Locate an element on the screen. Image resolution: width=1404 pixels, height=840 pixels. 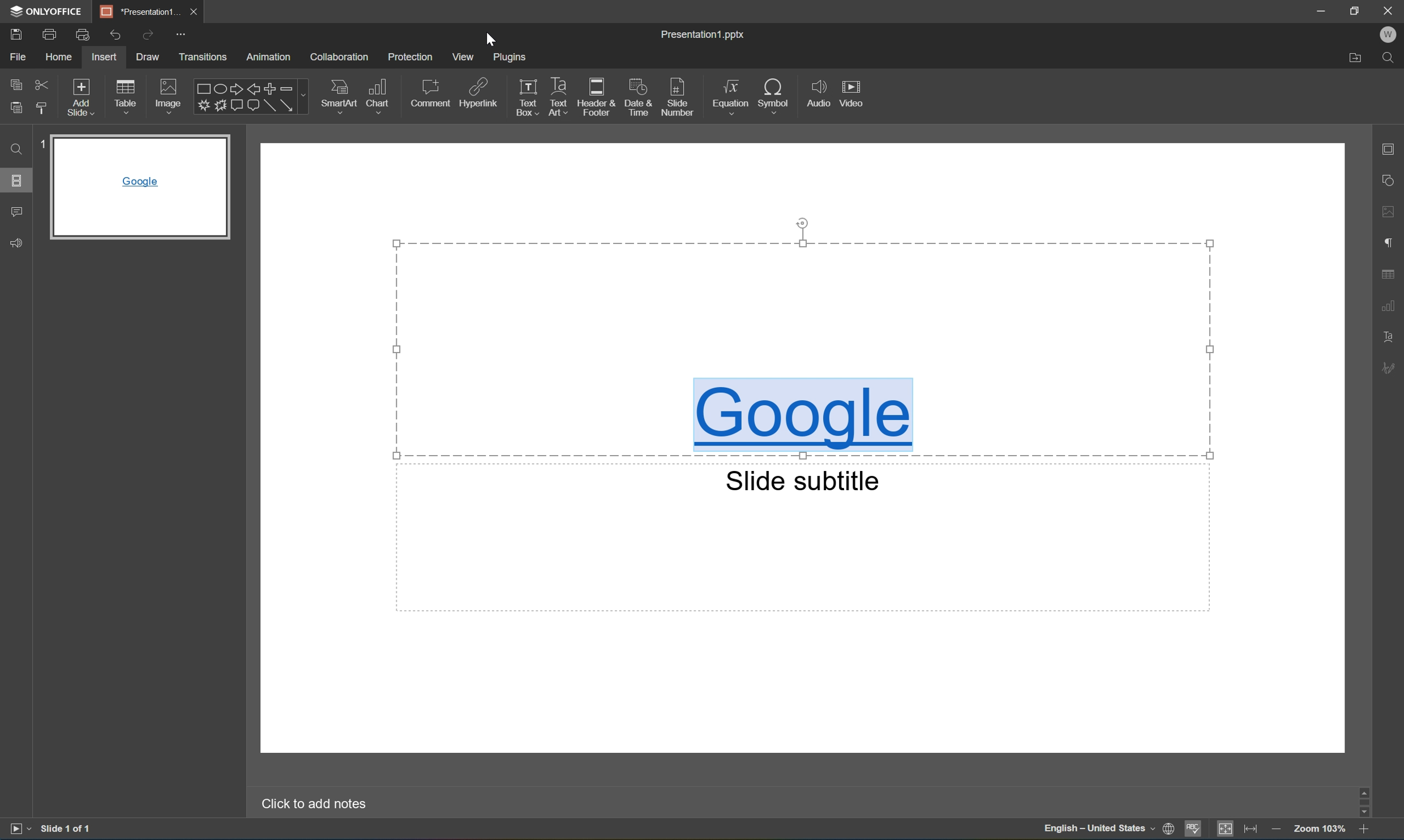
Cursor Position AFTER_LAST_ACTION is located at coordinates (489, 40).